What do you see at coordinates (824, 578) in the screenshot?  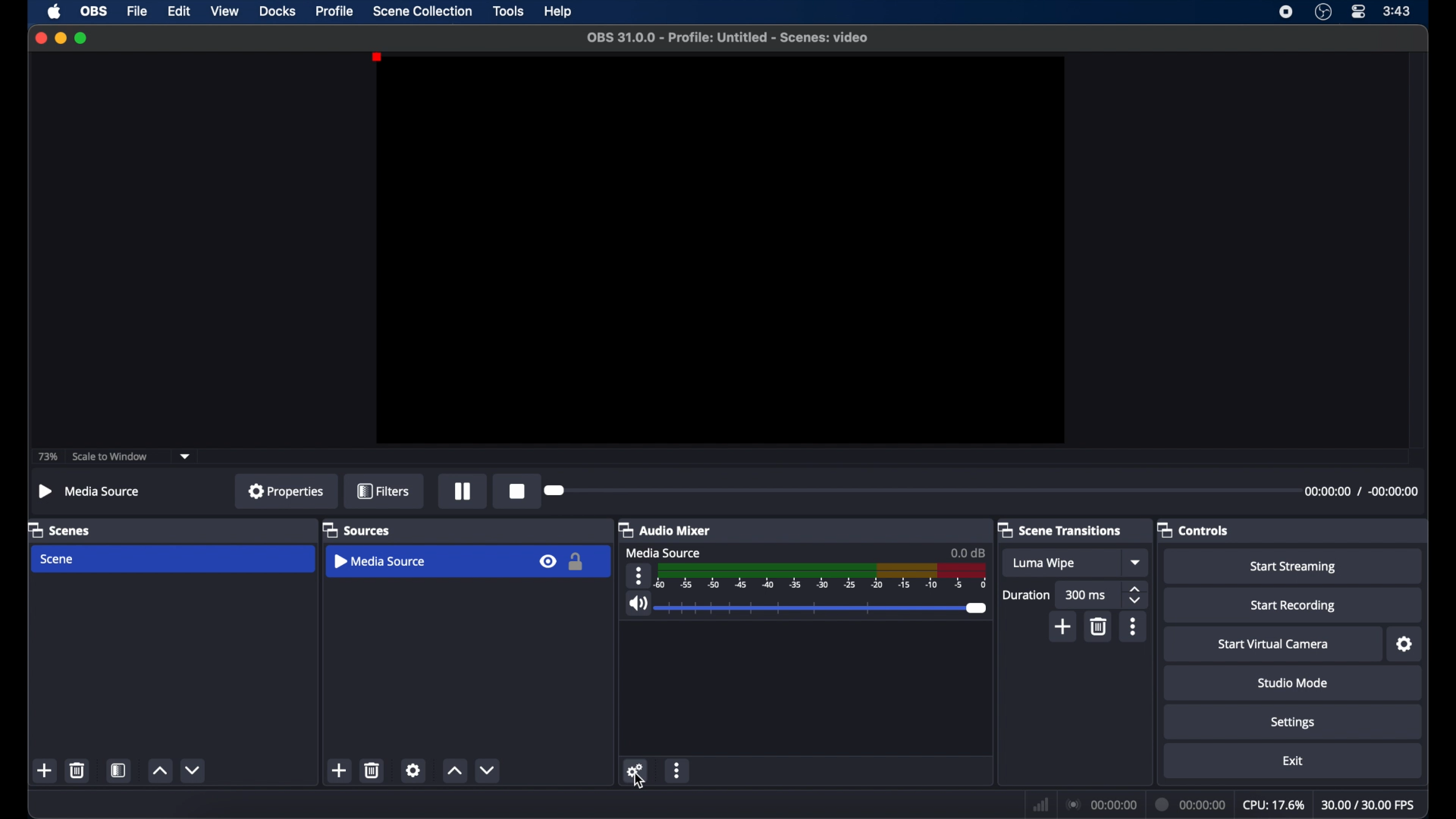 I see `timeline` at bounding box center [824, 578].